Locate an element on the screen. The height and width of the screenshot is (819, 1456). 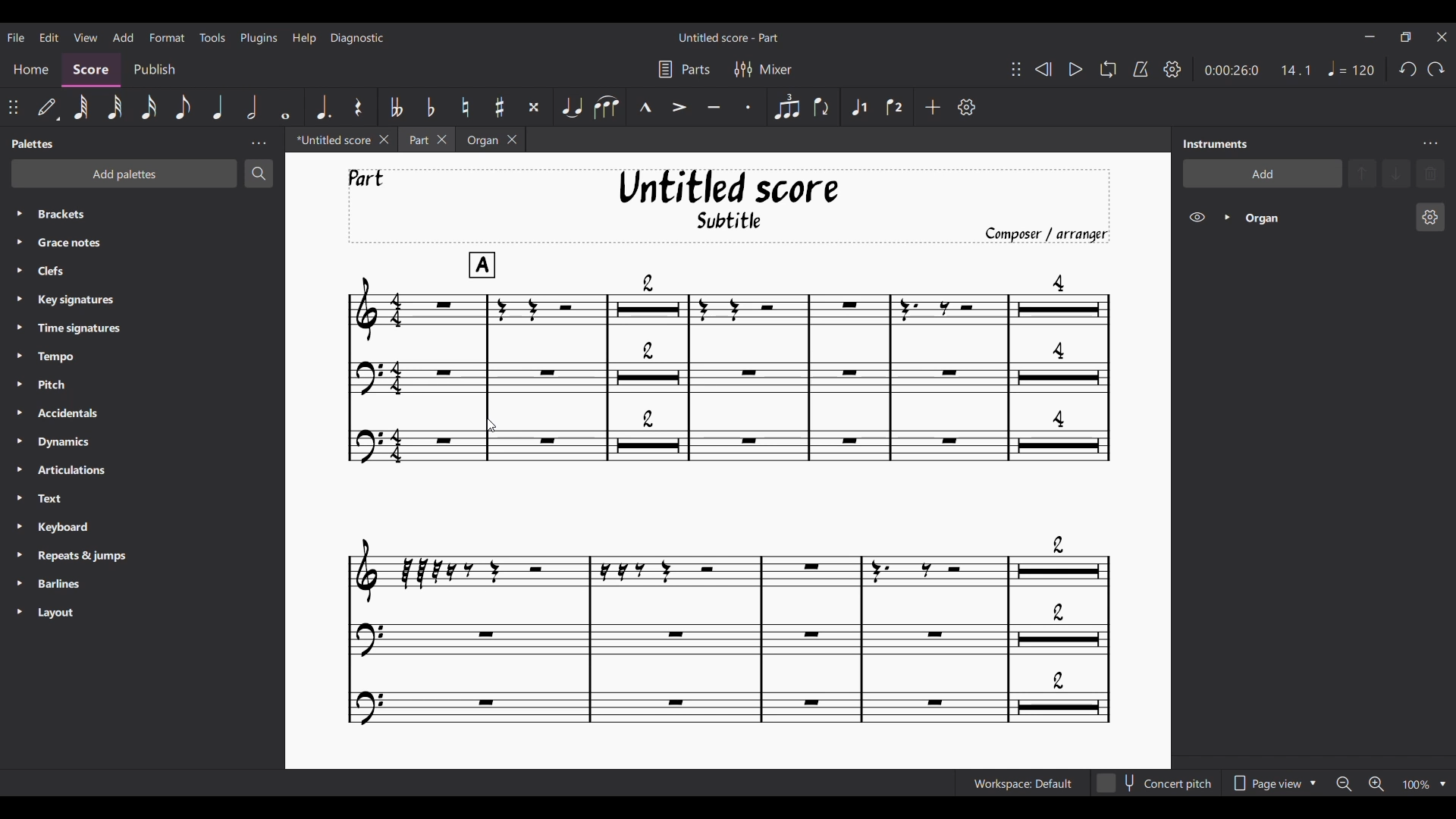
Click to change position of toolbar attached is located at coordinates (12, 107).